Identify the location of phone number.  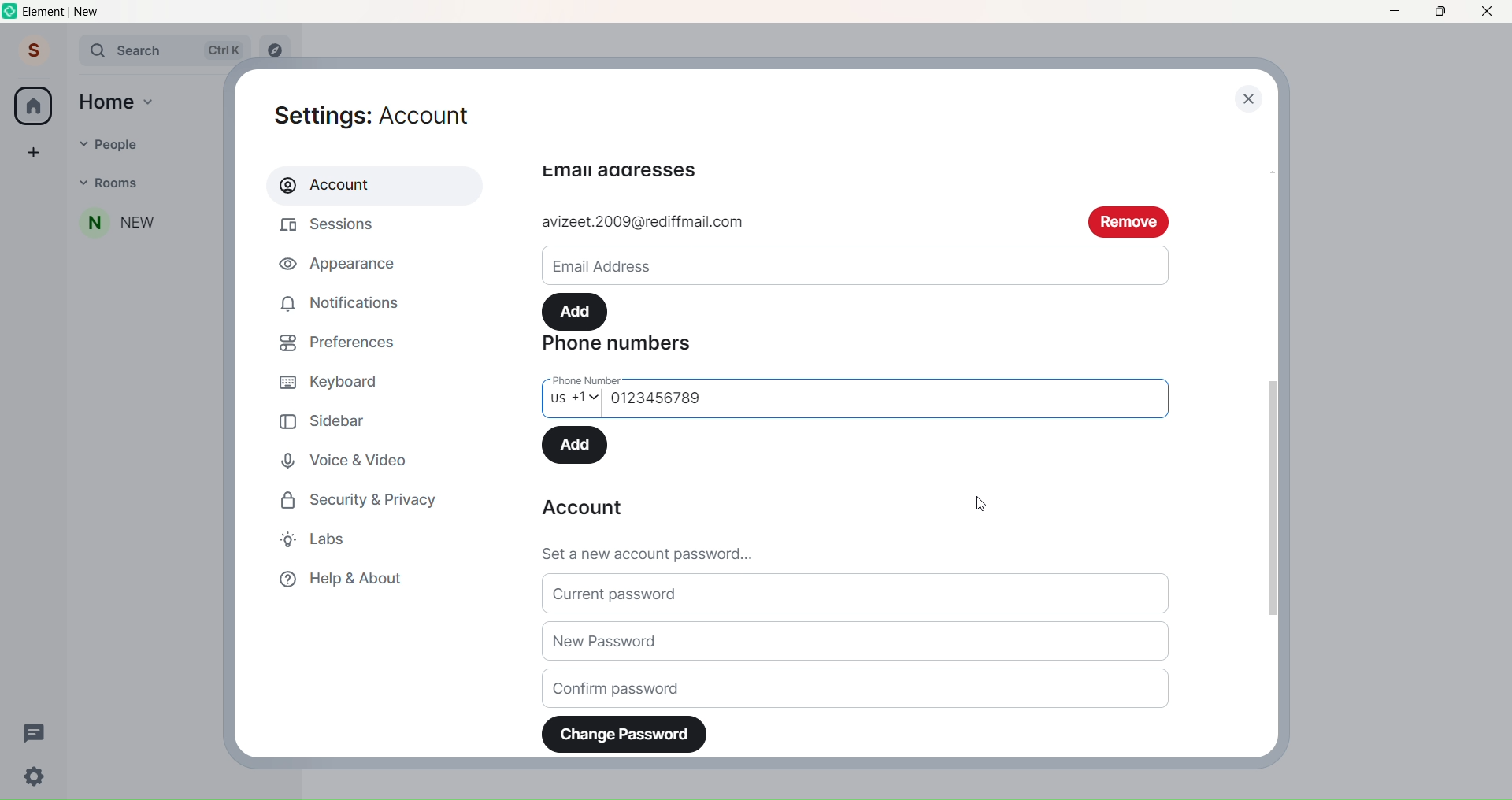
(583, 379).